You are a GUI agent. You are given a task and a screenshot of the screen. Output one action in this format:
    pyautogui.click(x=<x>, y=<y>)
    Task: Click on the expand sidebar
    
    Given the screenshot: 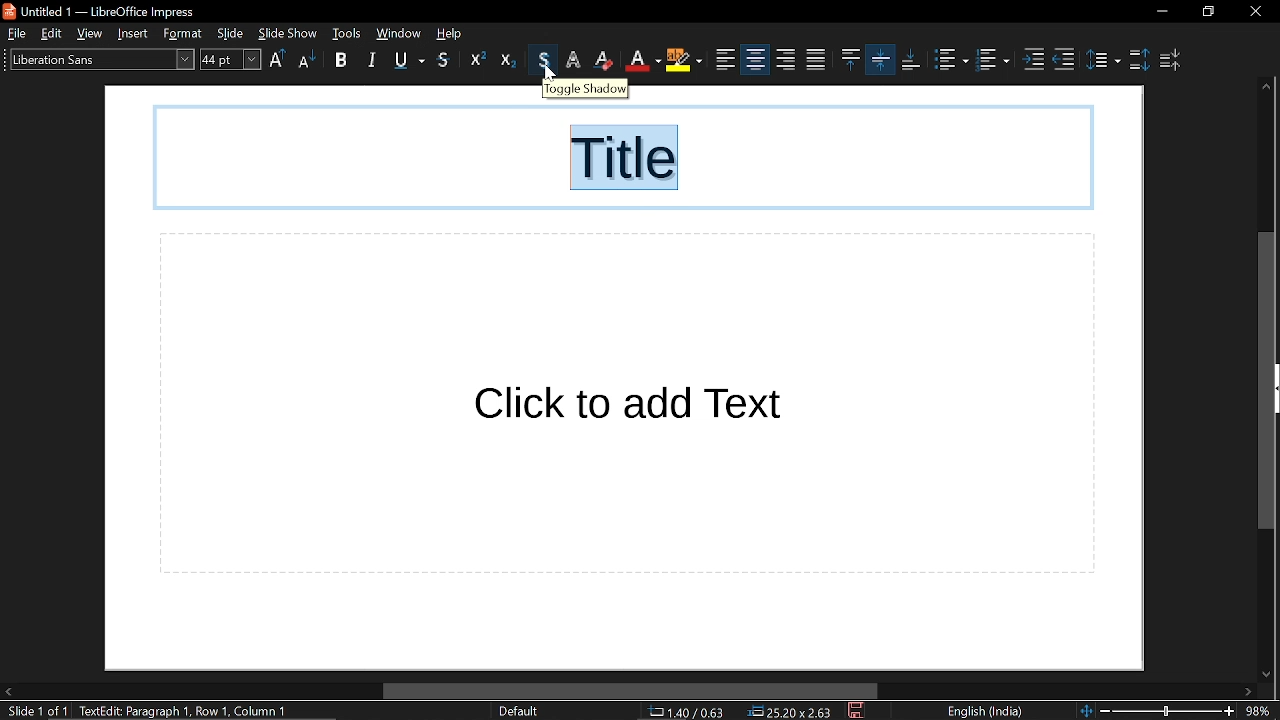 What is the action you would take?
    pyautogui.click(x=1275, y=389)
    